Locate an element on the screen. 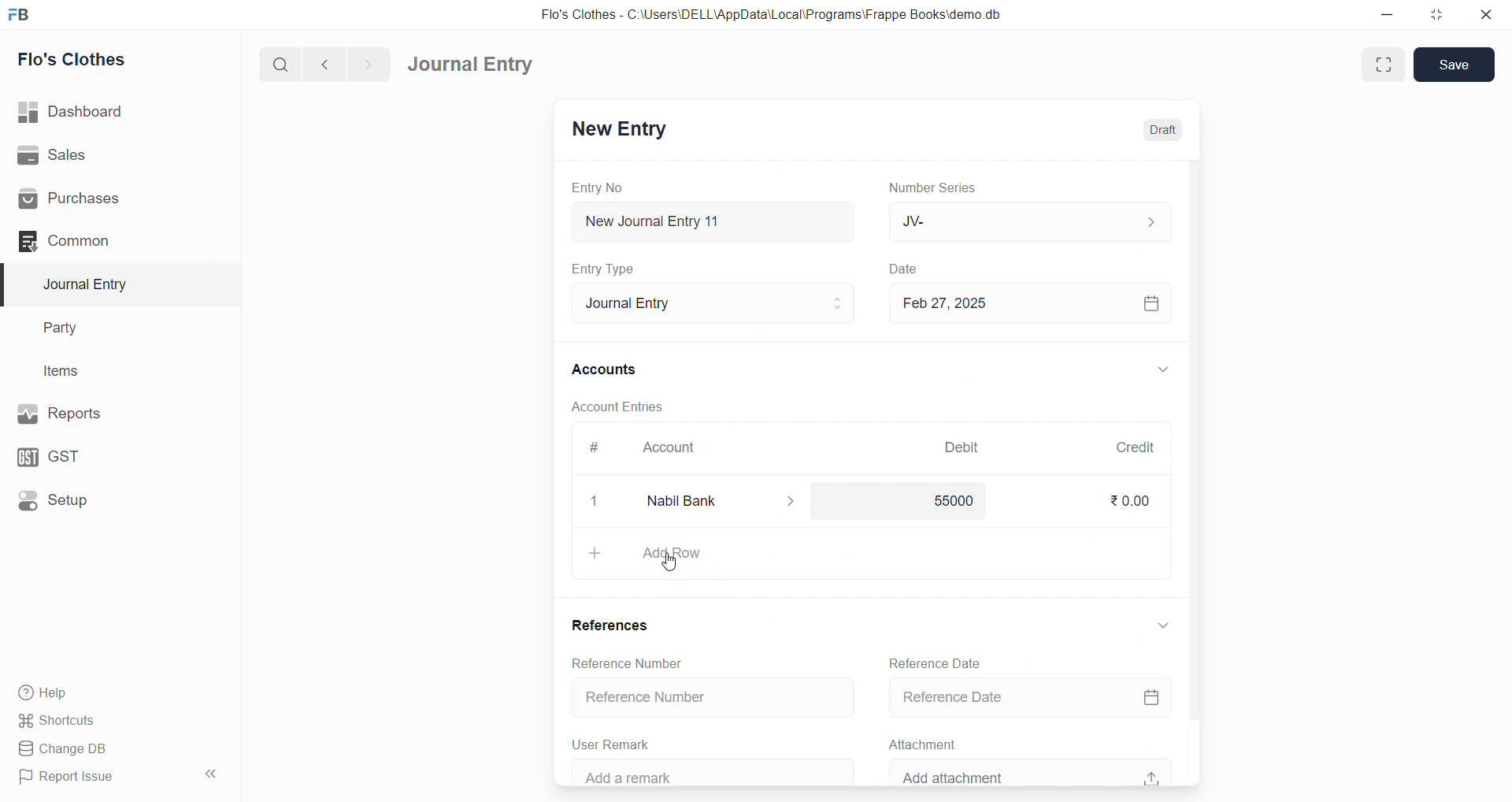 The width and height of the screenshot is (1512, 802). Add attachment is located at coordinates (1034, 771).